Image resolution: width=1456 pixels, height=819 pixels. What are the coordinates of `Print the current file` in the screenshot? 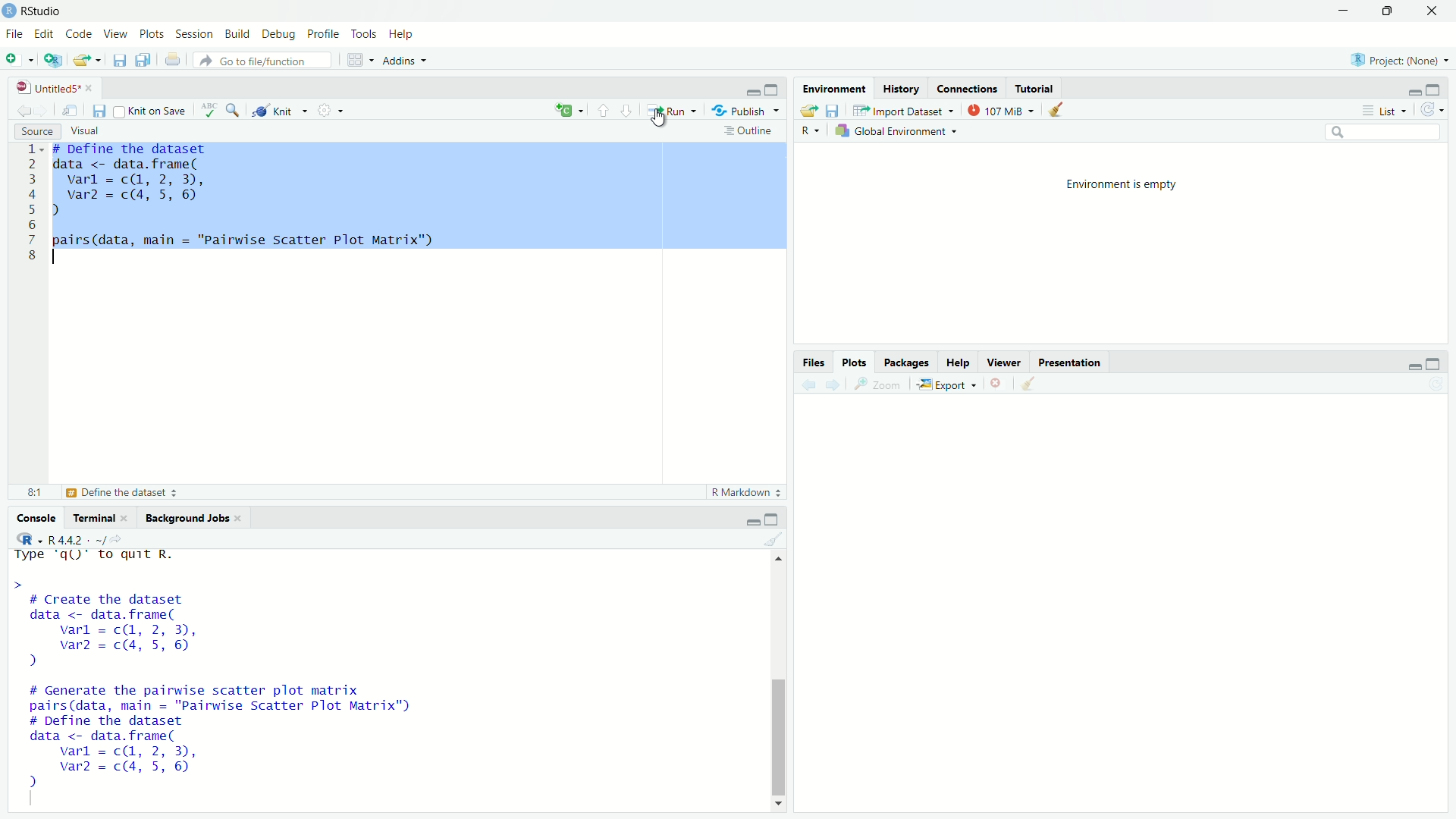 It's located at (172, 58).